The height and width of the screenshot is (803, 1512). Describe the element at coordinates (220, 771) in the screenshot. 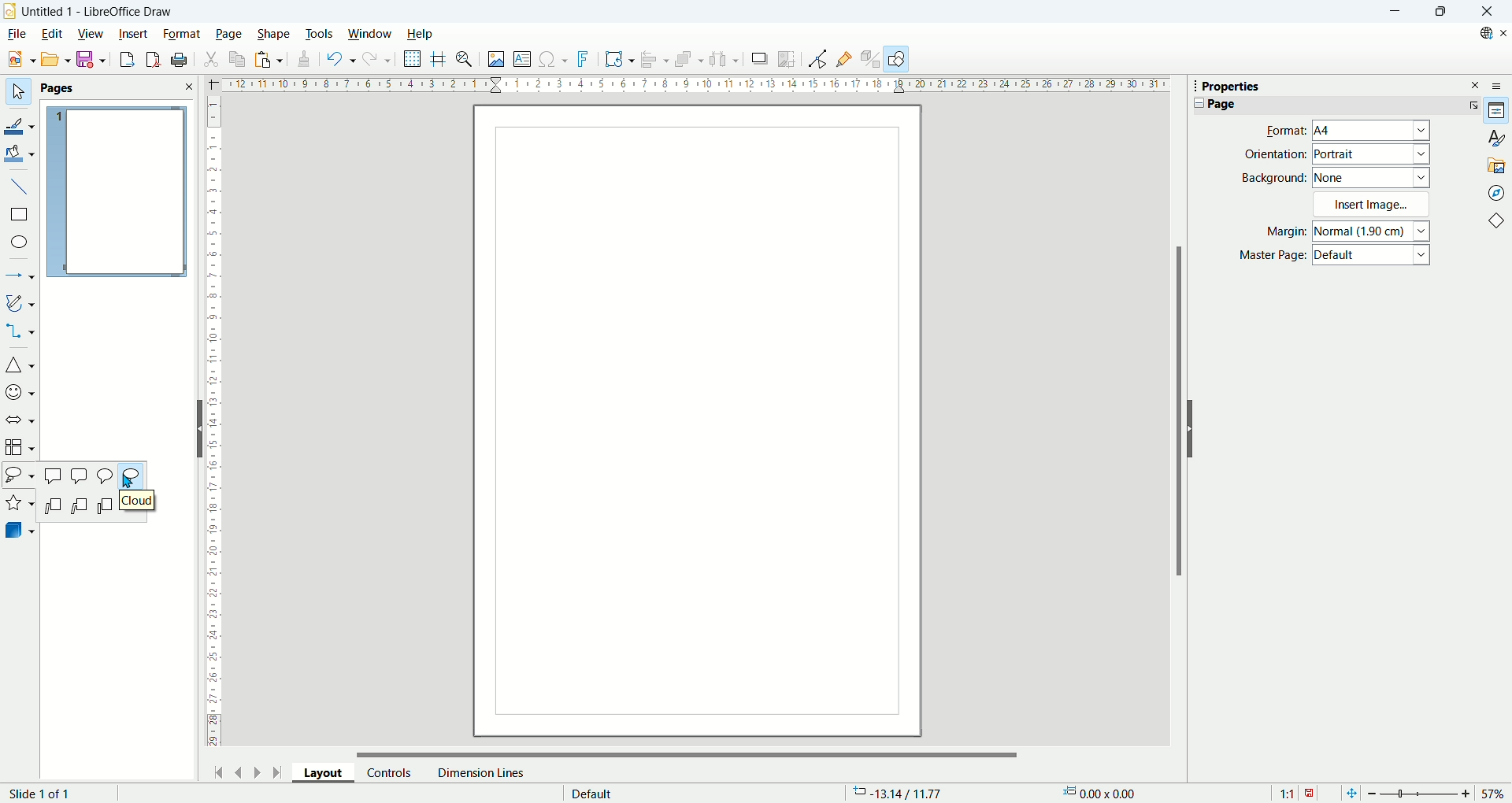

I see `go to first page` at that location.